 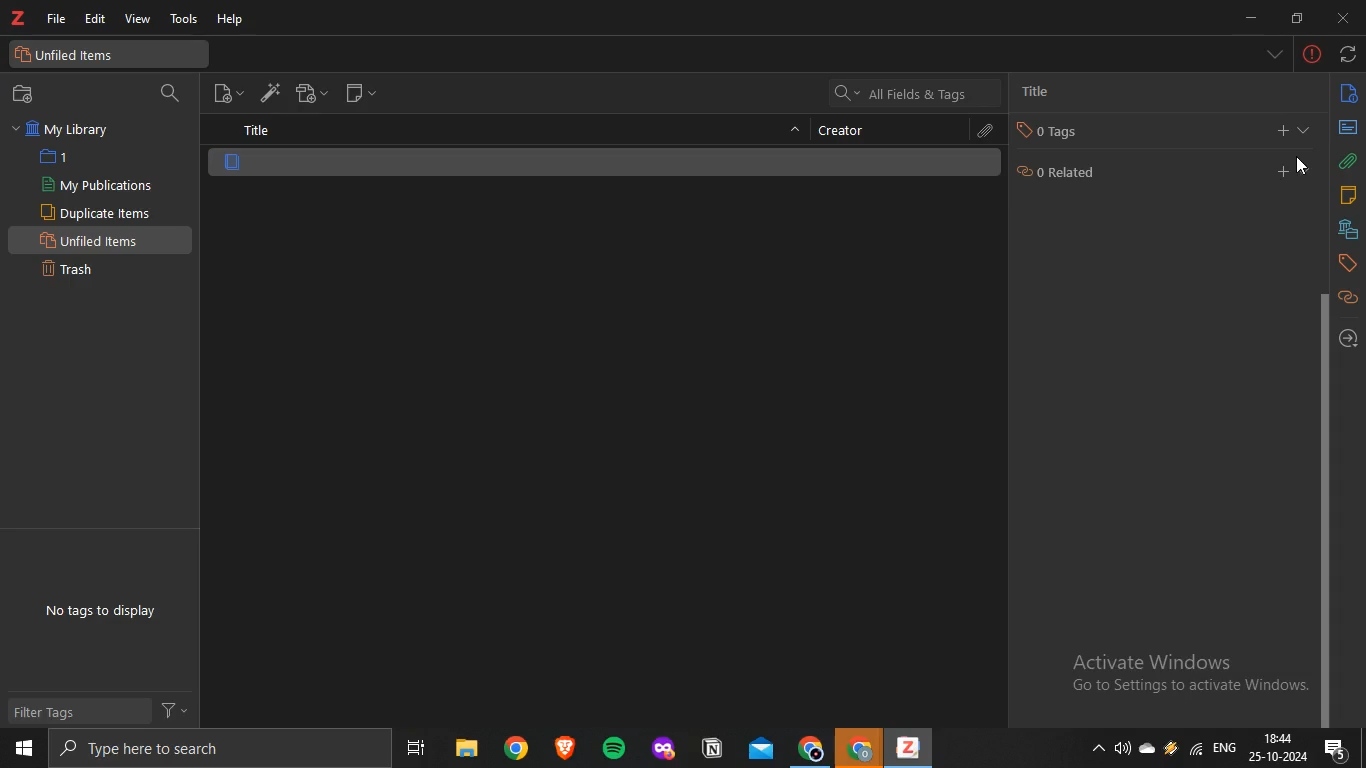 What do you see at coordinates (1349, 196) in the screenshot?
I see `notes` at bounding box center [1349, 196].